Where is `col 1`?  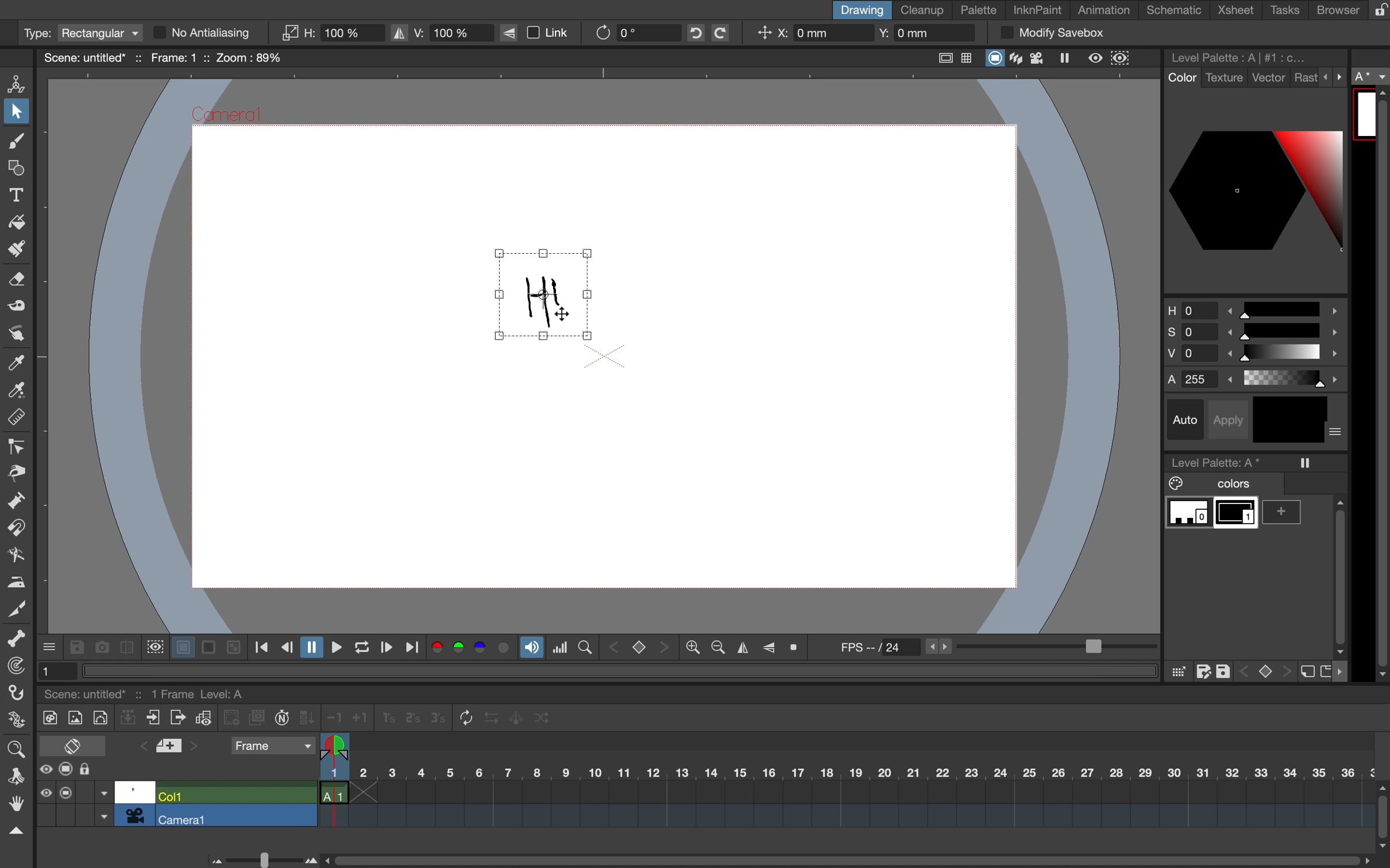
col 1 is located at coordinates (234, 795).